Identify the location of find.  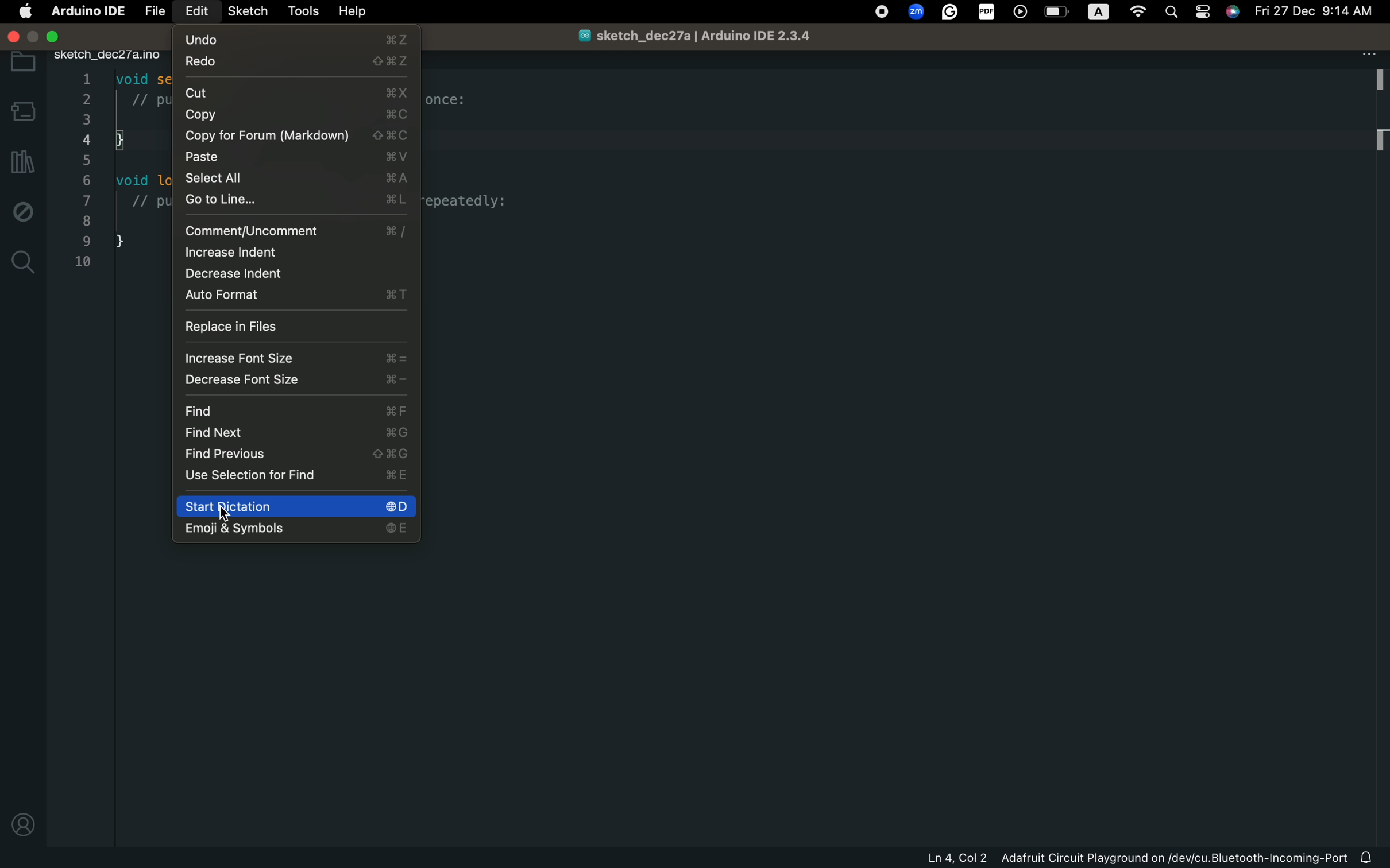
(297, 411).